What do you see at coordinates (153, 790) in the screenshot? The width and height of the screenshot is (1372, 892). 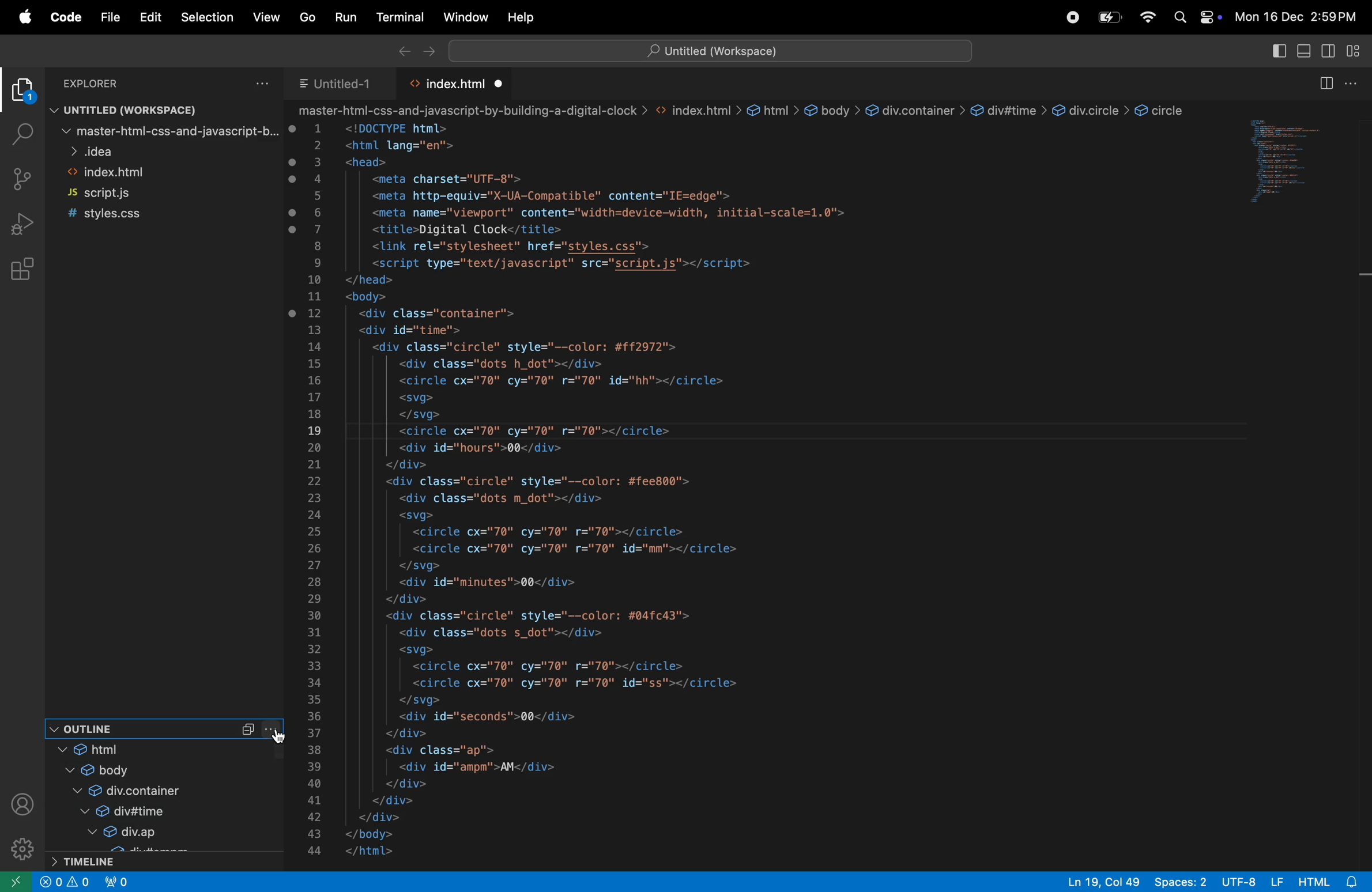 I see `div cointainer` at bounding box center [153, 790].